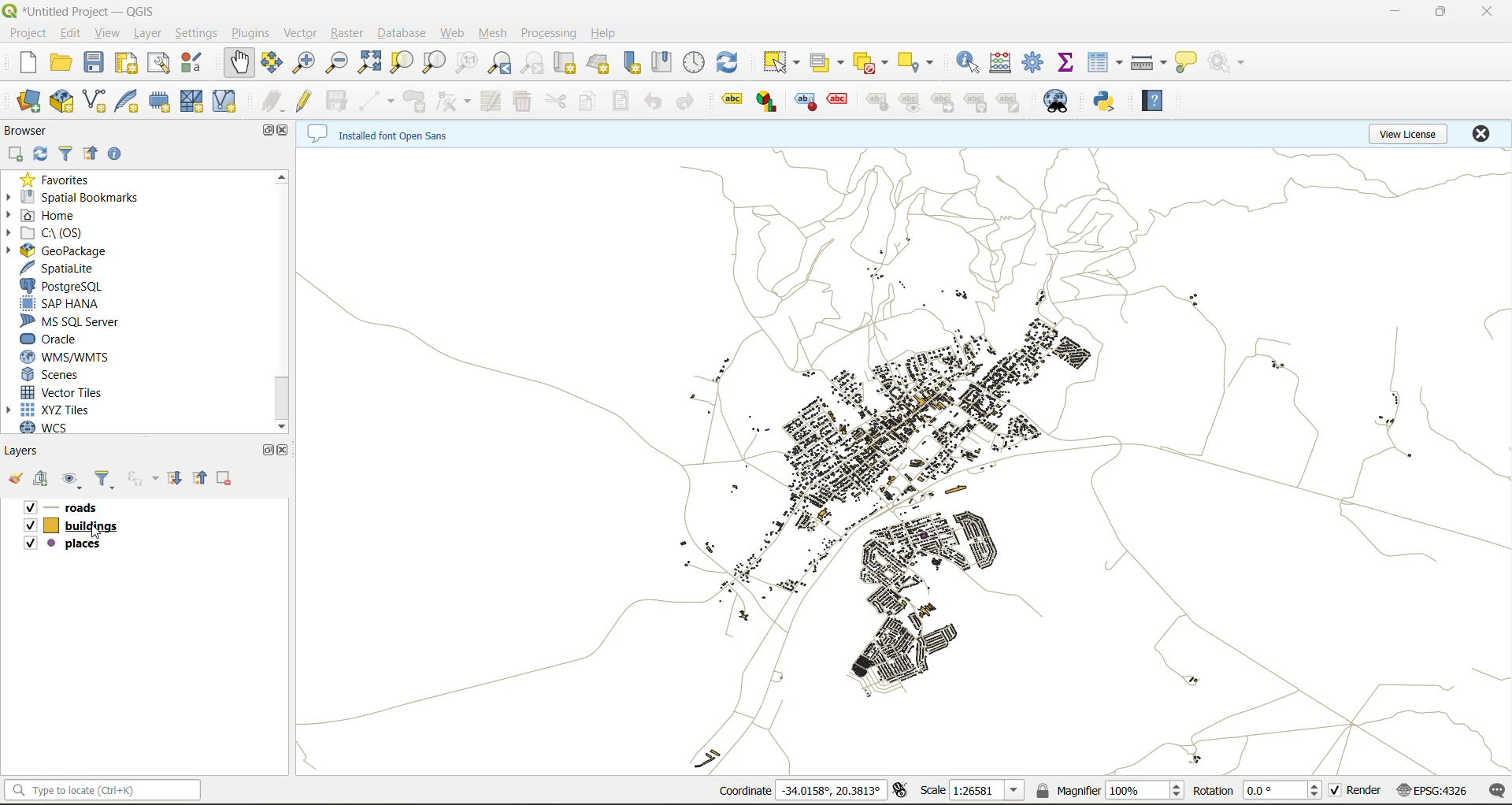  Describe the element at coordinates (1229, 64) in the screenshot. I see `no action` at that location.